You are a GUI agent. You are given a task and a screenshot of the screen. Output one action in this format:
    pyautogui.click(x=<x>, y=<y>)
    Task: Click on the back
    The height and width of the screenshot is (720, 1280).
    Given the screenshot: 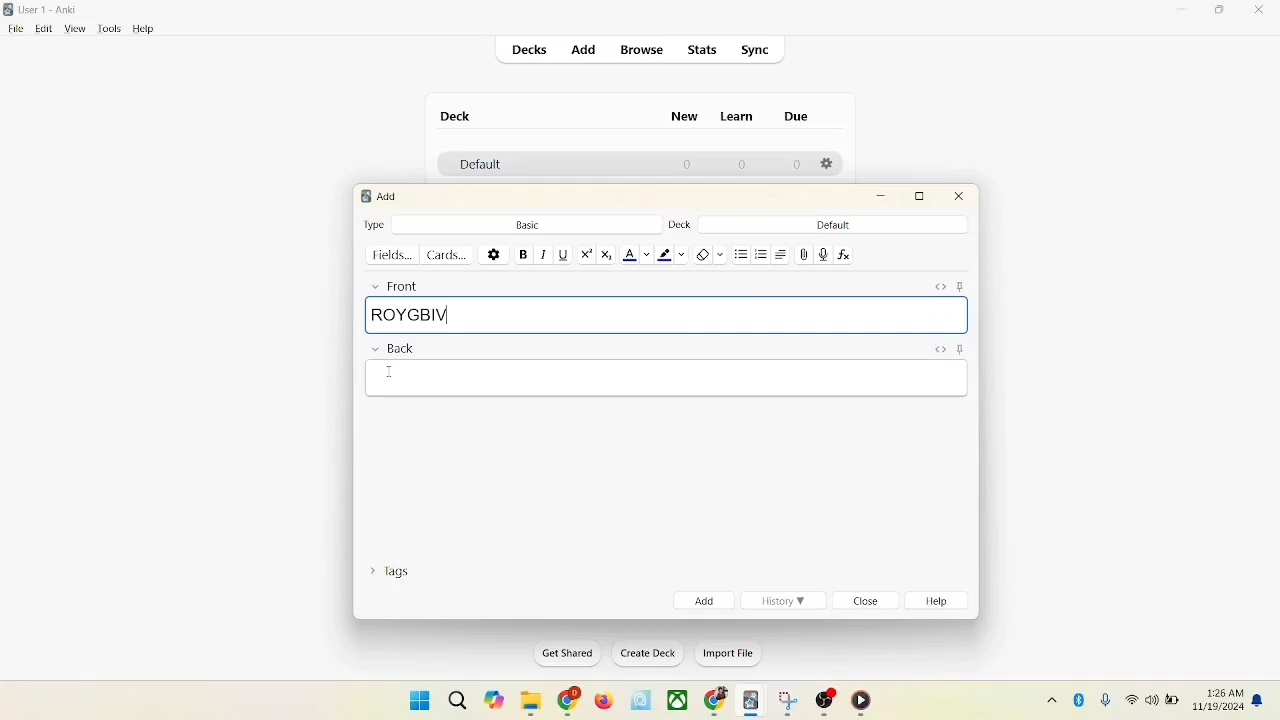 What is the action you would take?
    pyautogui.click(x=392, y=350)
    